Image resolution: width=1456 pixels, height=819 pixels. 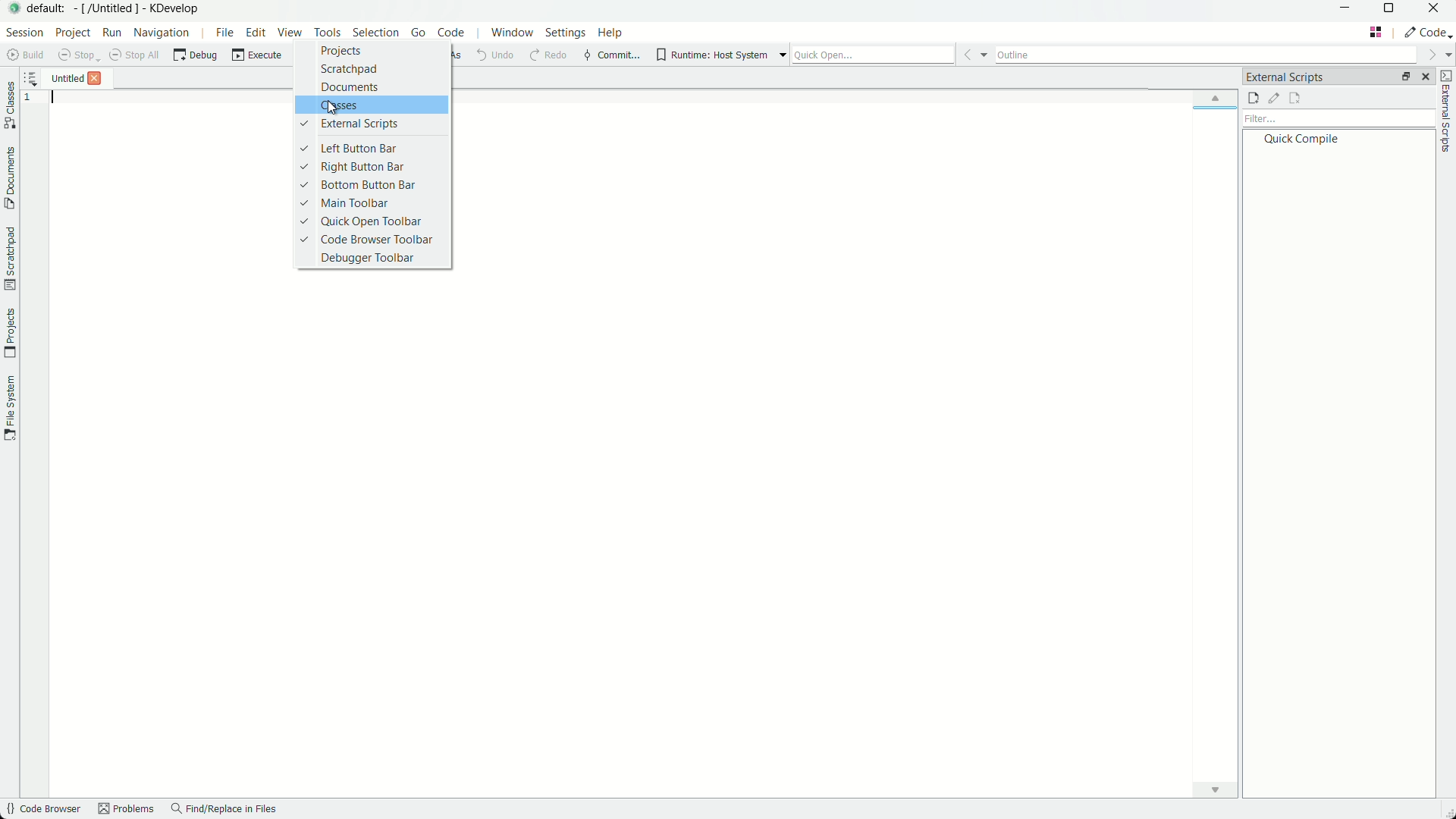 I want to click on scratchpad, so click(x=9, y=259).